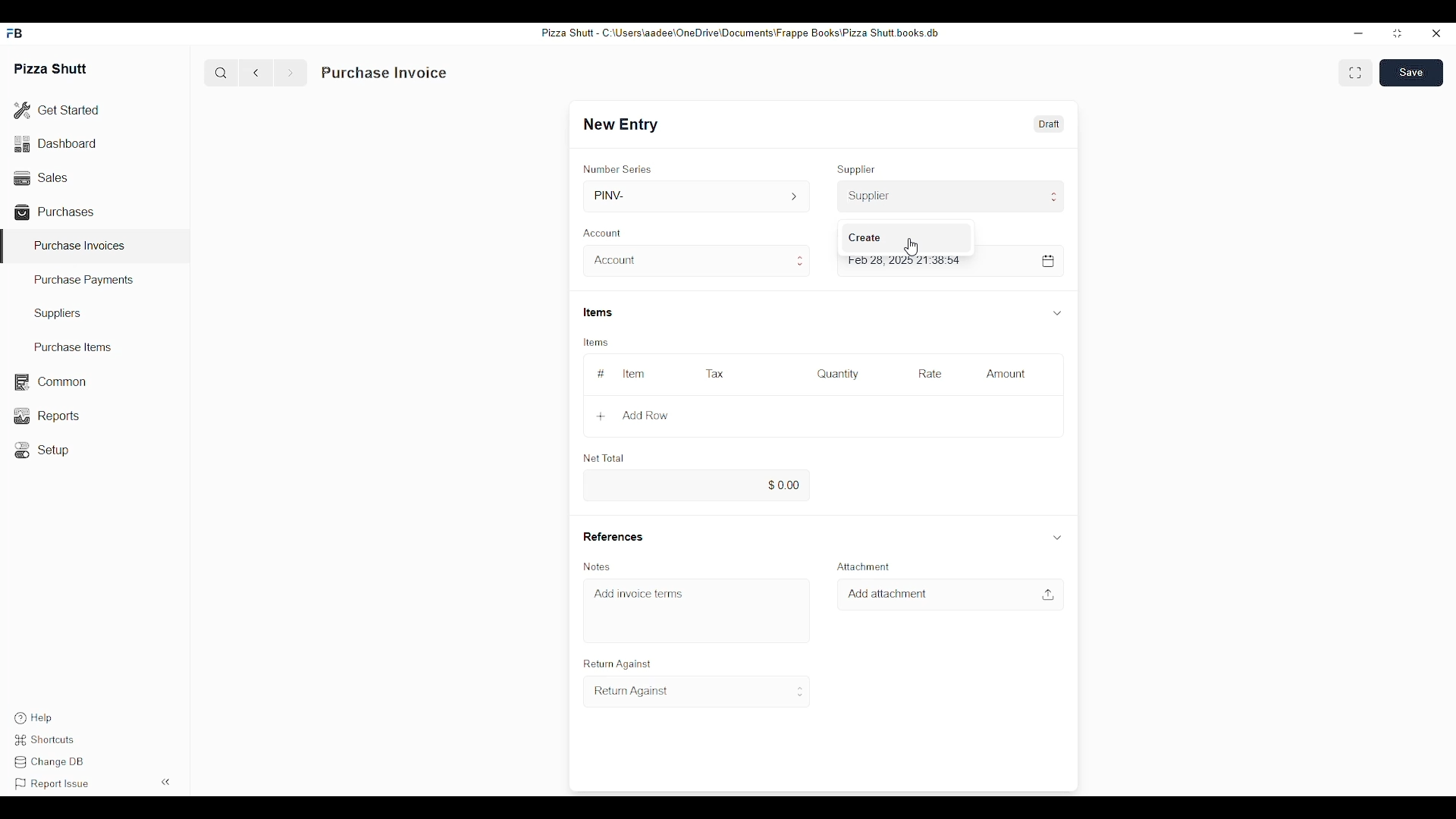 This screenshot has width=1456, height=819. I want to click on Enlarge, so click(1356, 73).